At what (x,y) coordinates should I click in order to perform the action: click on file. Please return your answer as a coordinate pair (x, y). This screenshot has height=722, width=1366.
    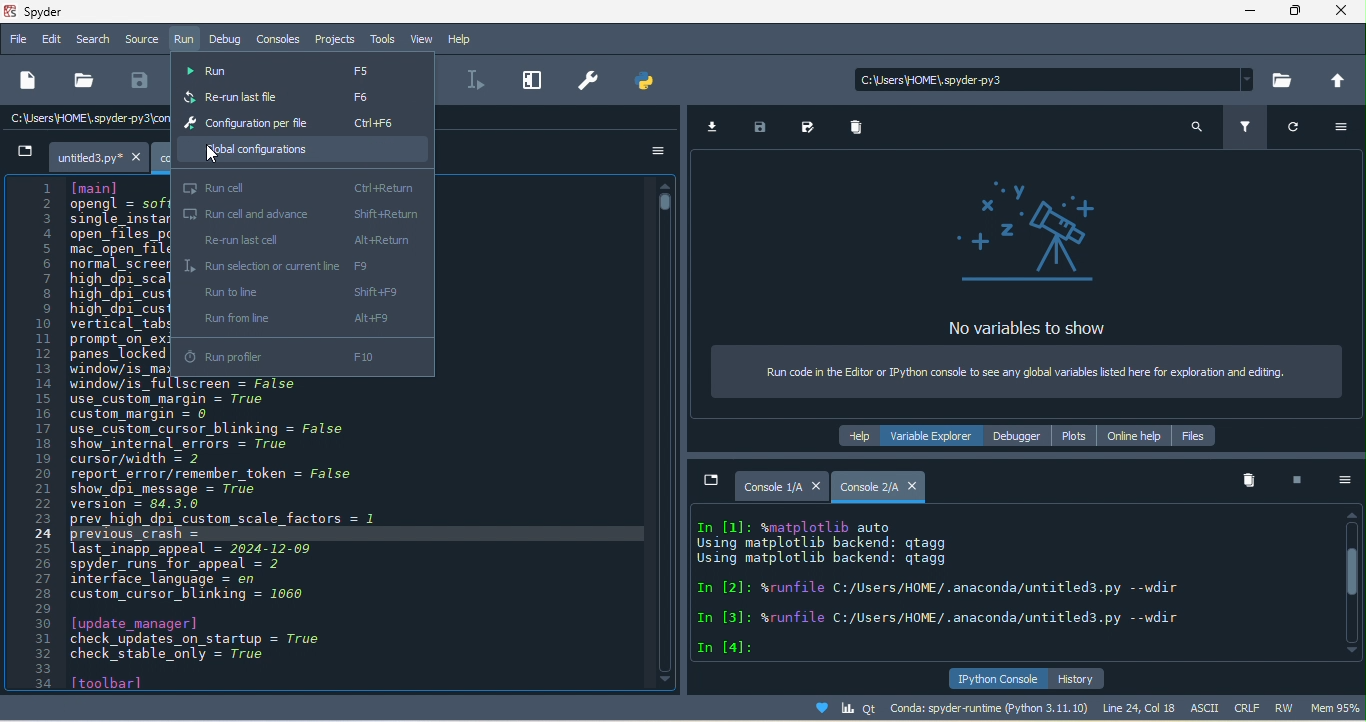
    Looking at the image, I should click on (18, 40).